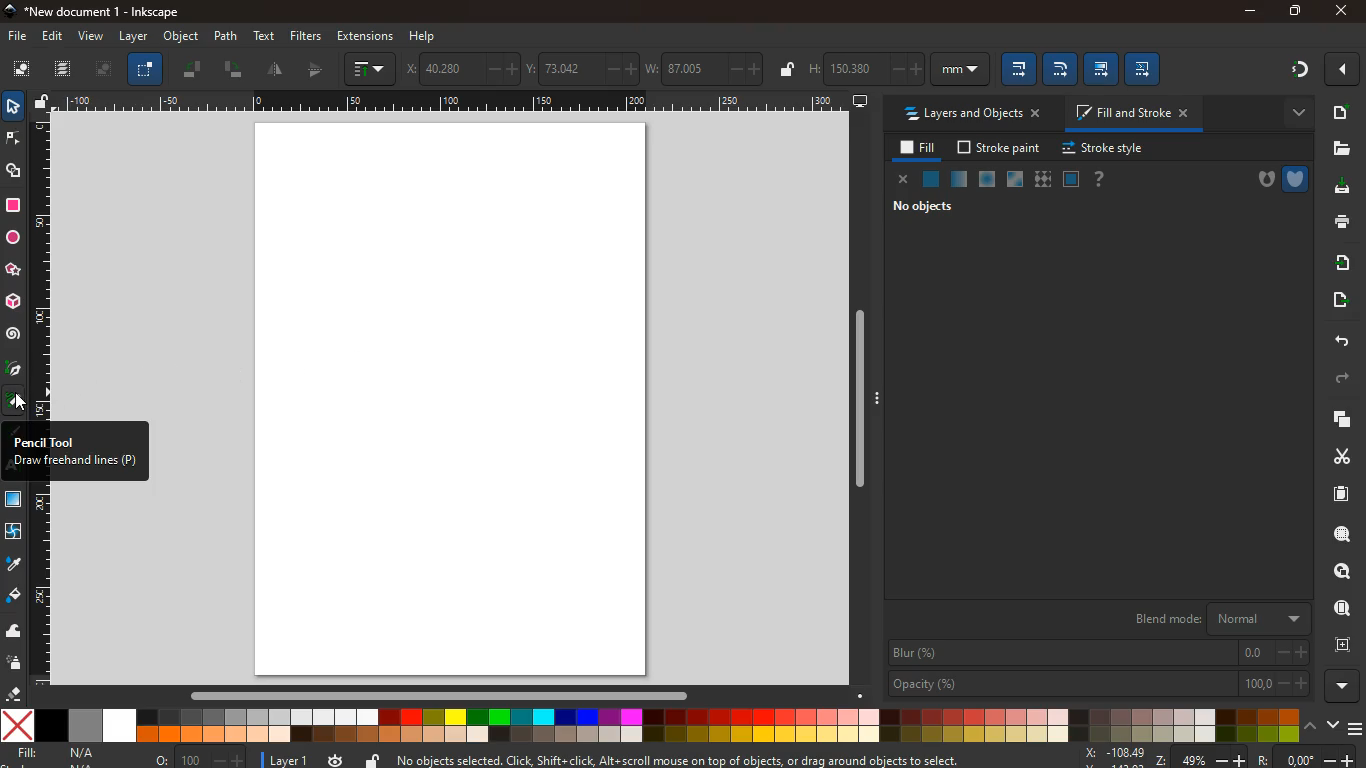 This screenshot has height=768, width=1366. What do you see at coordinates (272, 70) in the screenshot?
I see `divide` at bounding box center [272, 70].